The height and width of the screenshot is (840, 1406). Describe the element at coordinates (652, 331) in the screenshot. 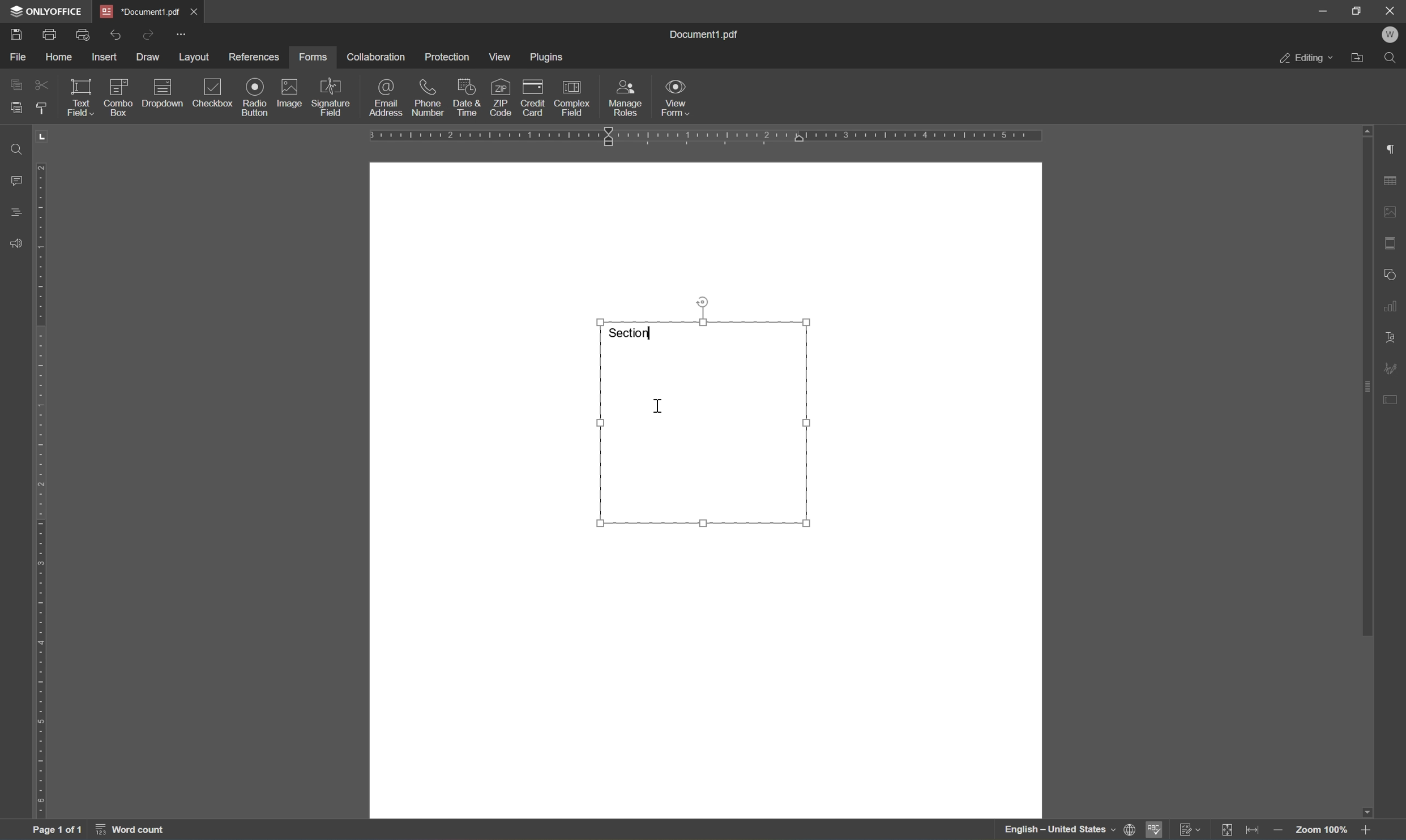

I see `typing cursor` at that location.